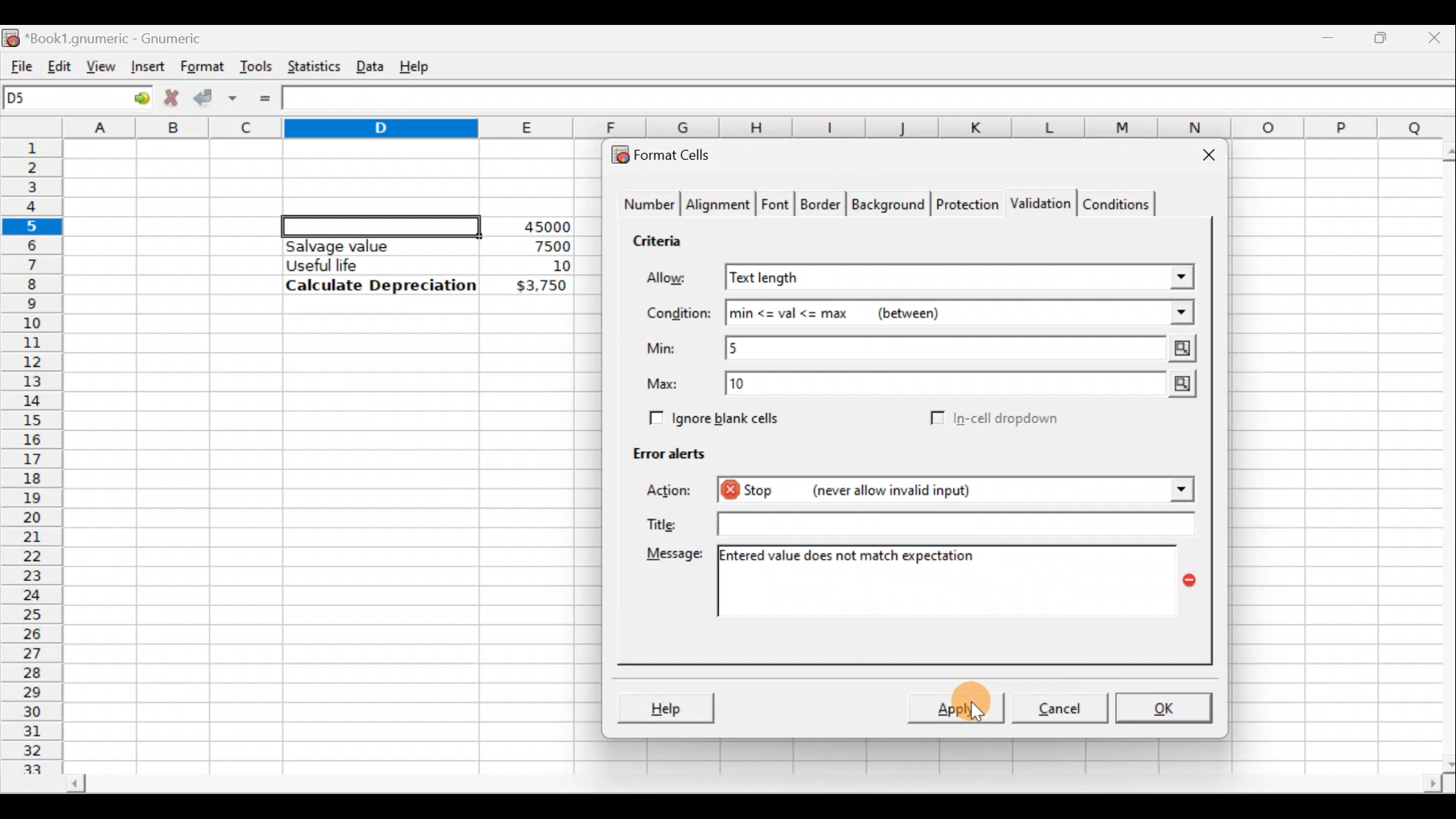  What do you see at coordinates (1057, 707) in the screenshot?
I see `Cancel` at bounding box center [1057, 707].